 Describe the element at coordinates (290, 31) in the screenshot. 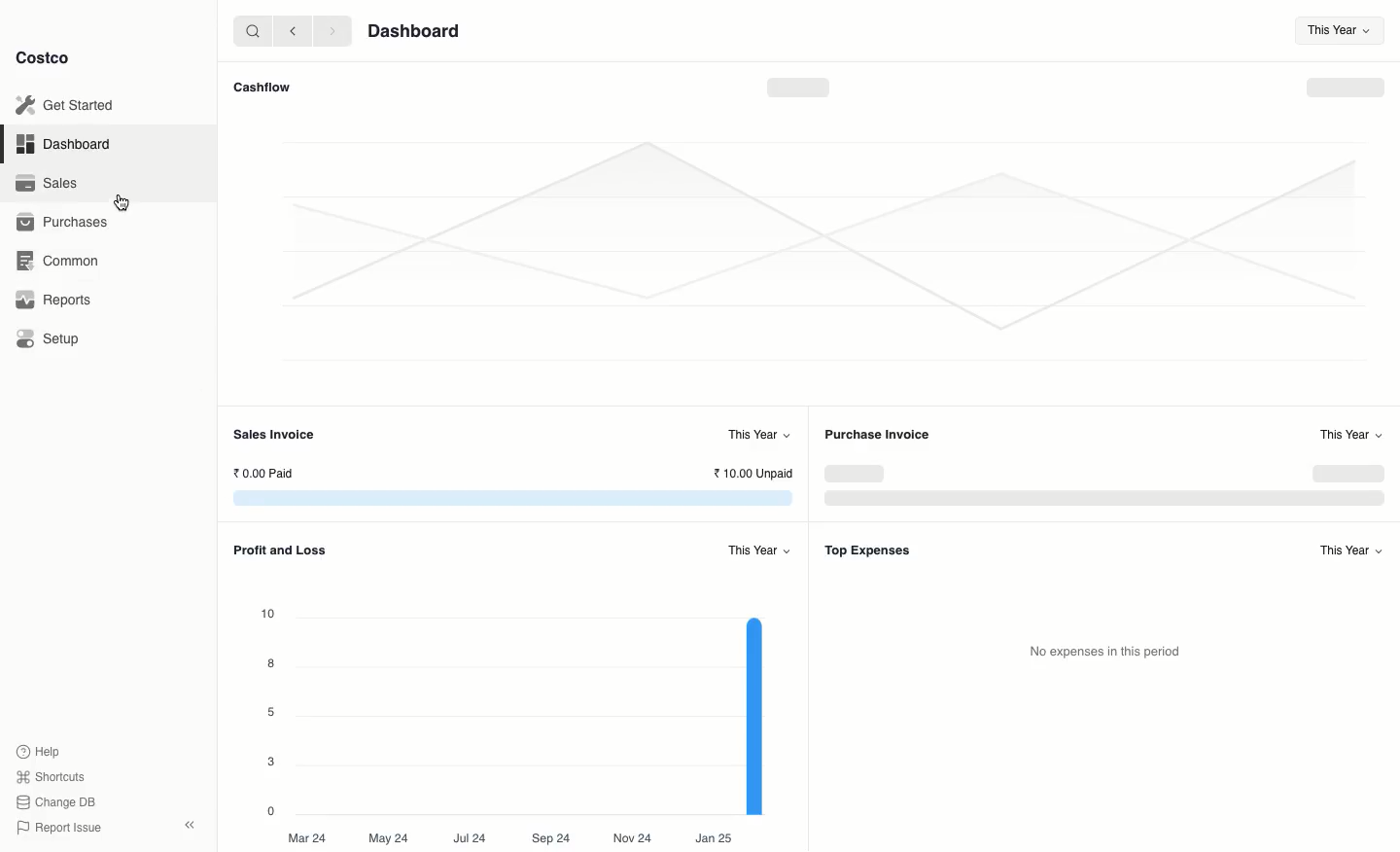

I see `Back` at that location.